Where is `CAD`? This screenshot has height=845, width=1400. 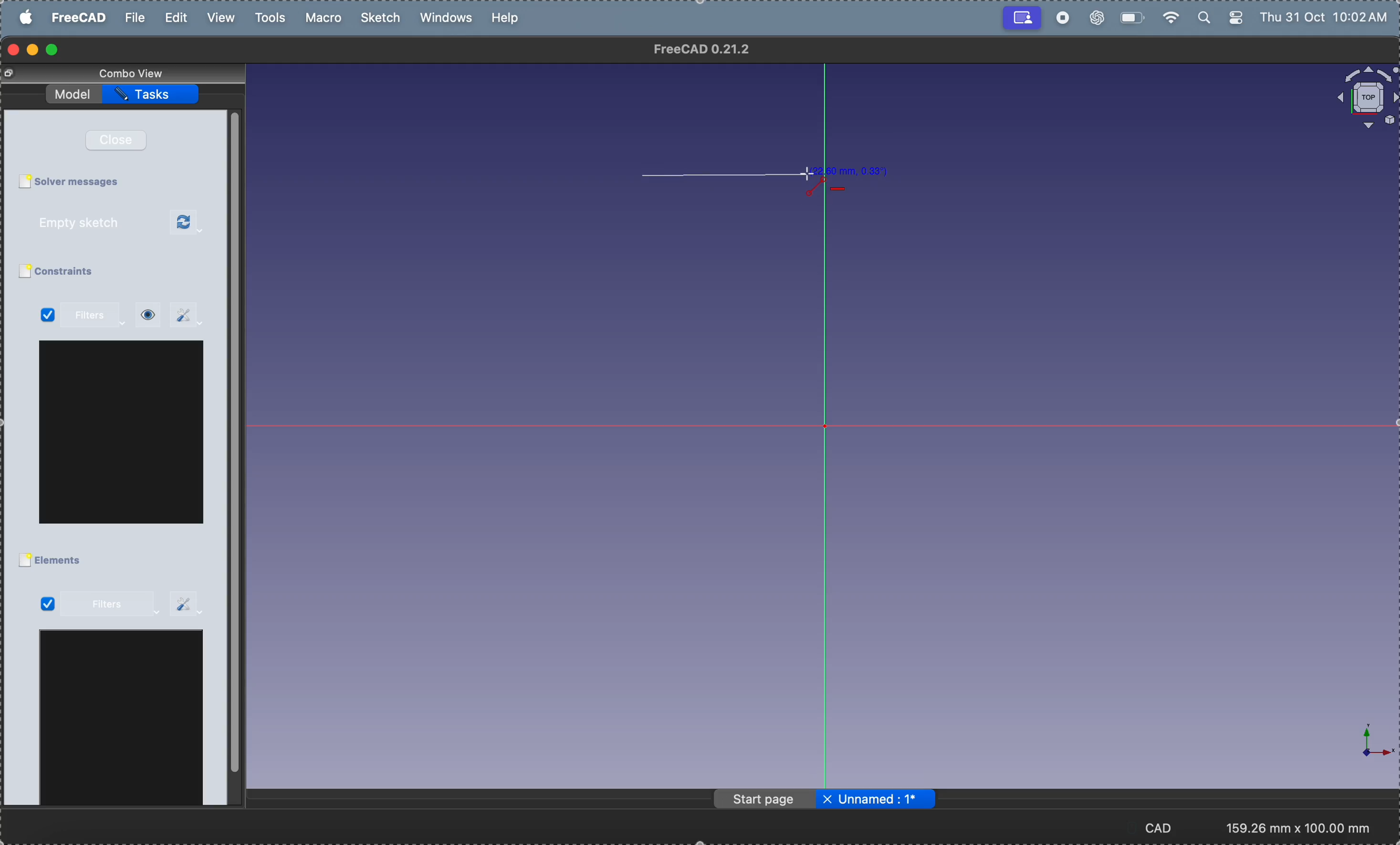 CAD is located at coordinates (1166, 827).